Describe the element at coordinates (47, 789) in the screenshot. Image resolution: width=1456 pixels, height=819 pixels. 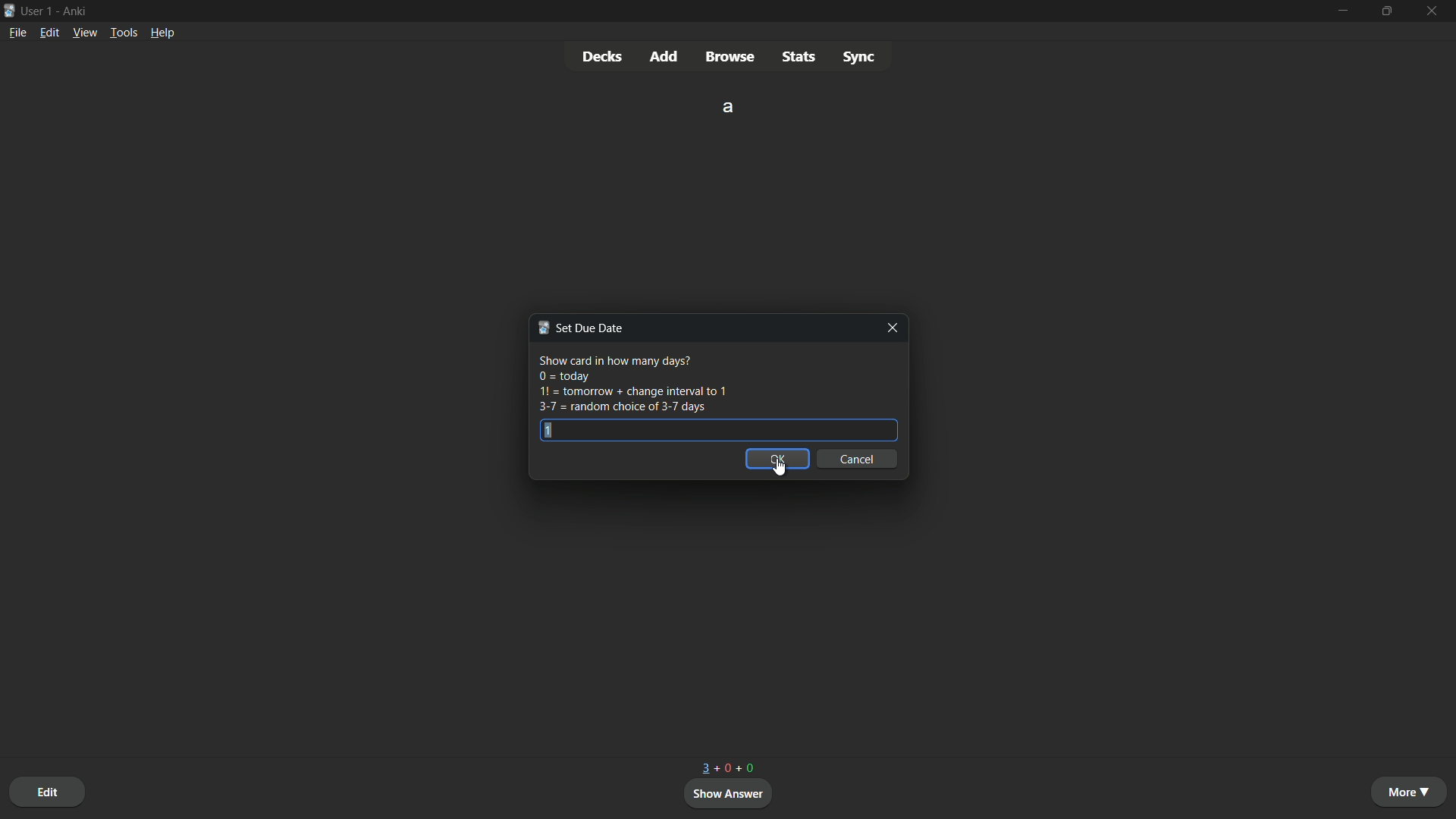
I see `edit` at that location.